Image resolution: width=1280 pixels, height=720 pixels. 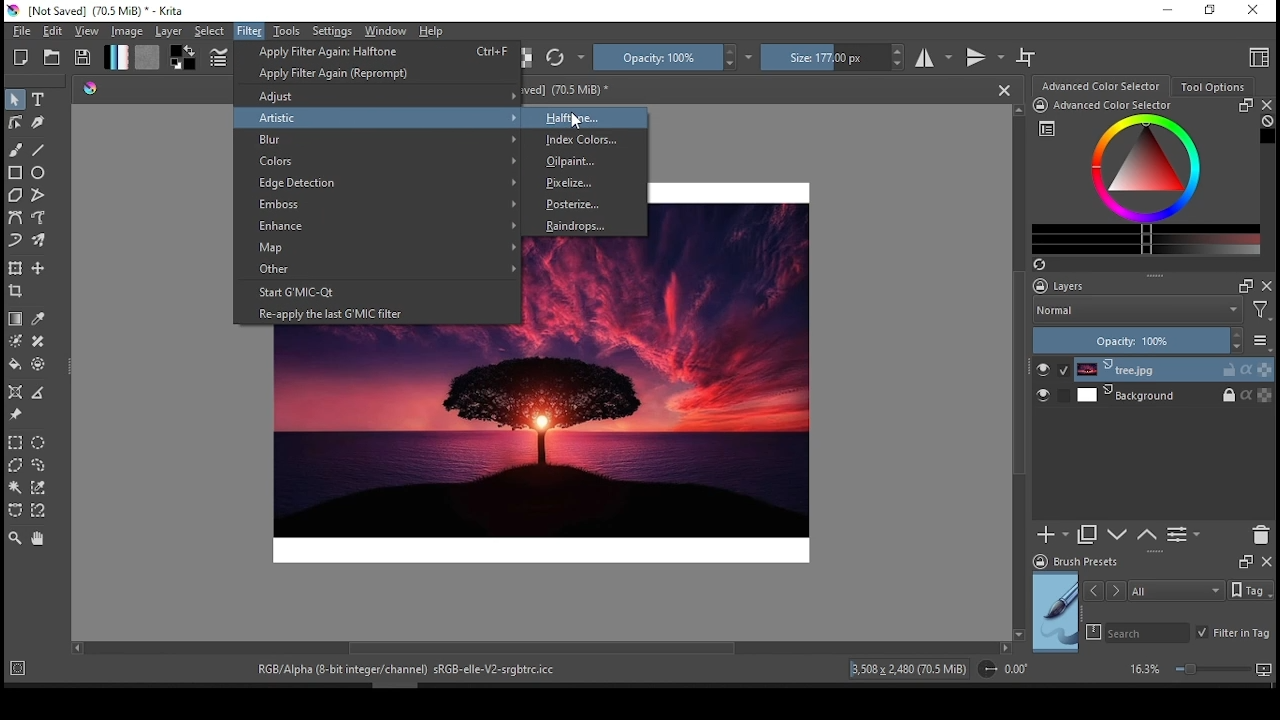 I want to click on Cursor, so click(x=576, y=121).